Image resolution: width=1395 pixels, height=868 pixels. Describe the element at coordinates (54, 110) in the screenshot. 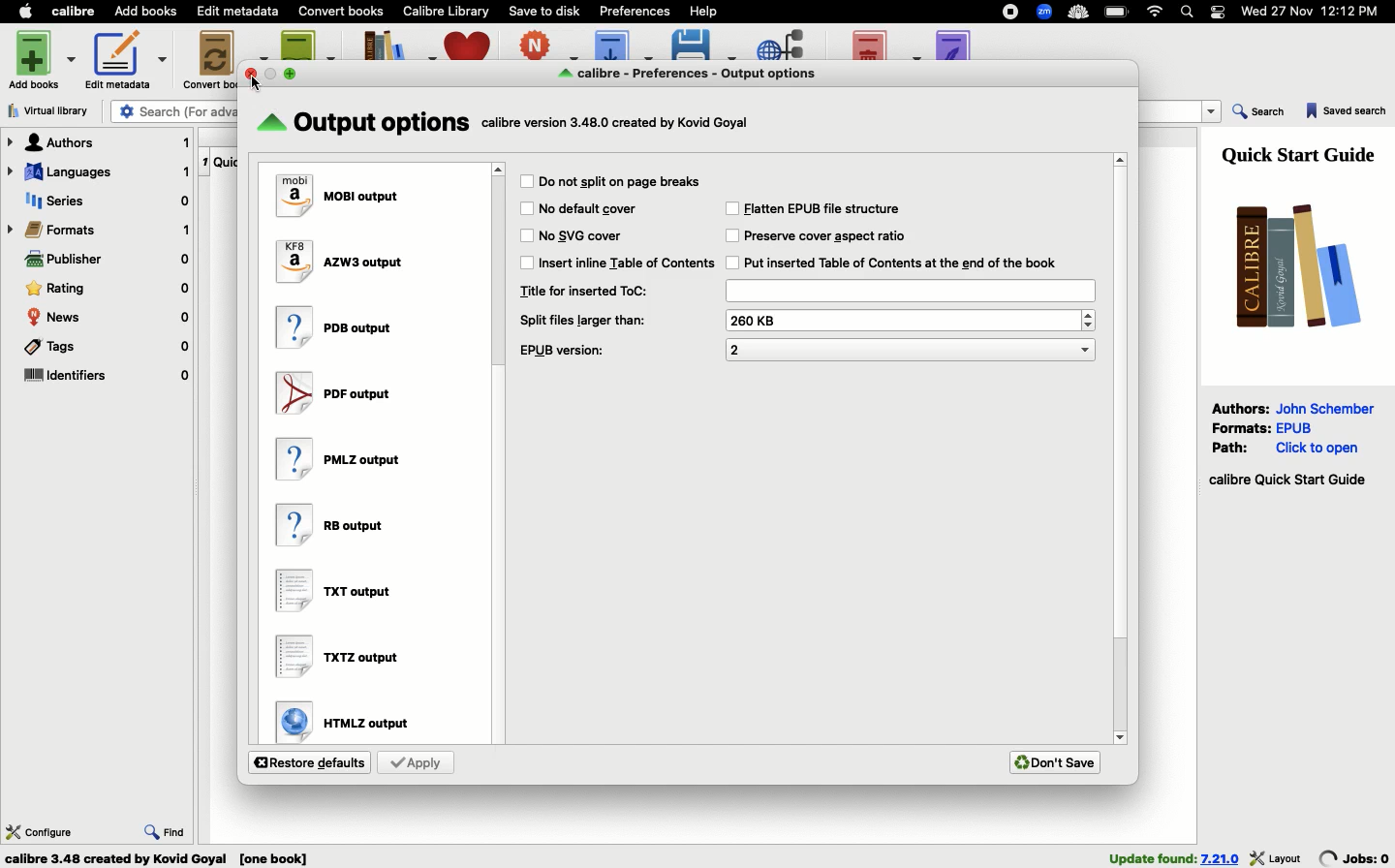

I see `Virtual library` at that location.